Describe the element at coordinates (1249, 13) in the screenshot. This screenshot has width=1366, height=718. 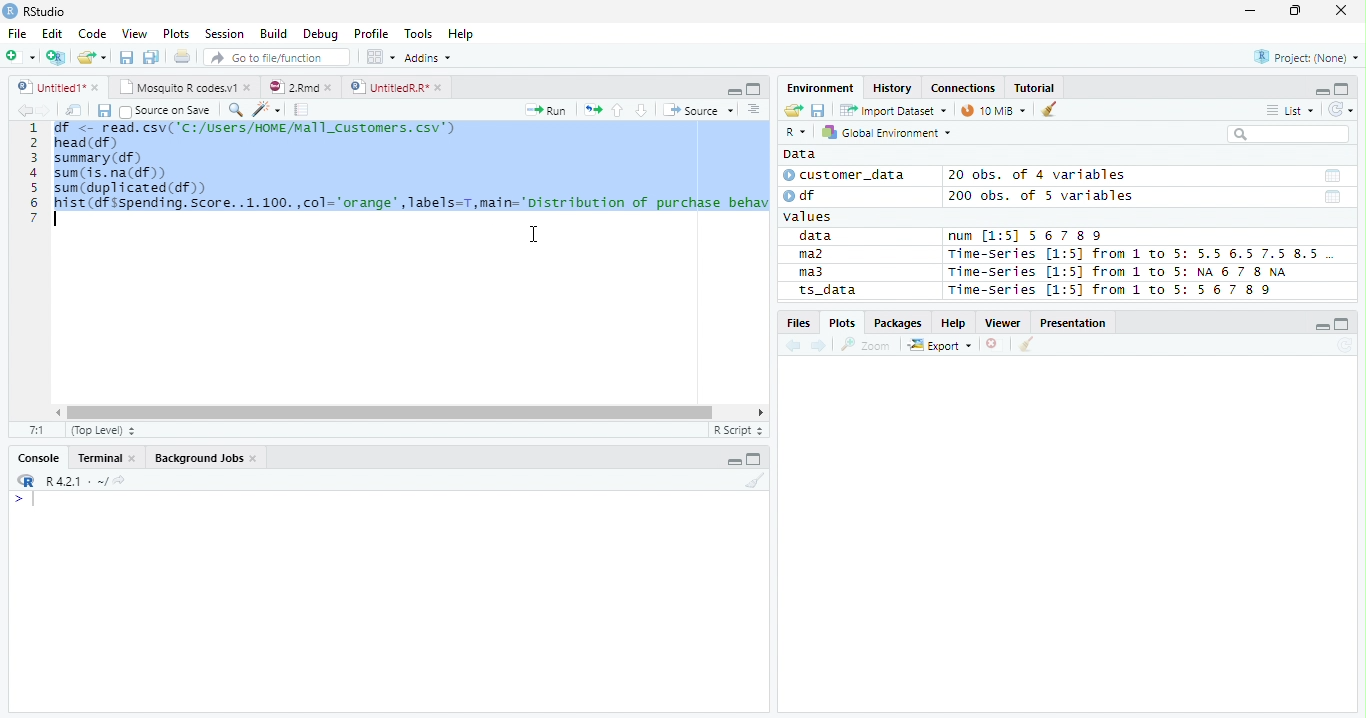
I see `Minimize` at that location.